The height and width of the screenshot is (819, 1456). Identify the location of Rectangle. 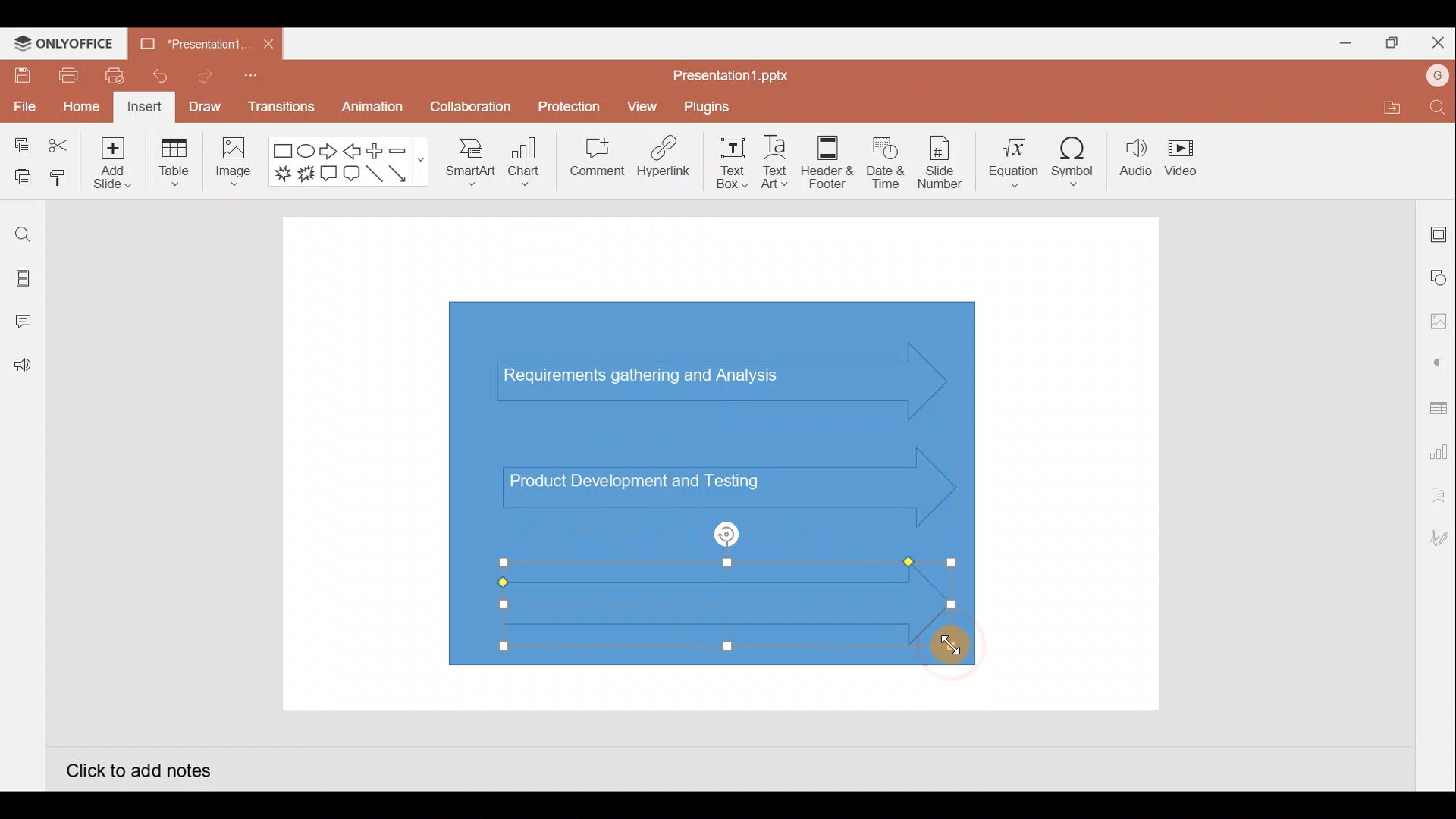
(284, 152).